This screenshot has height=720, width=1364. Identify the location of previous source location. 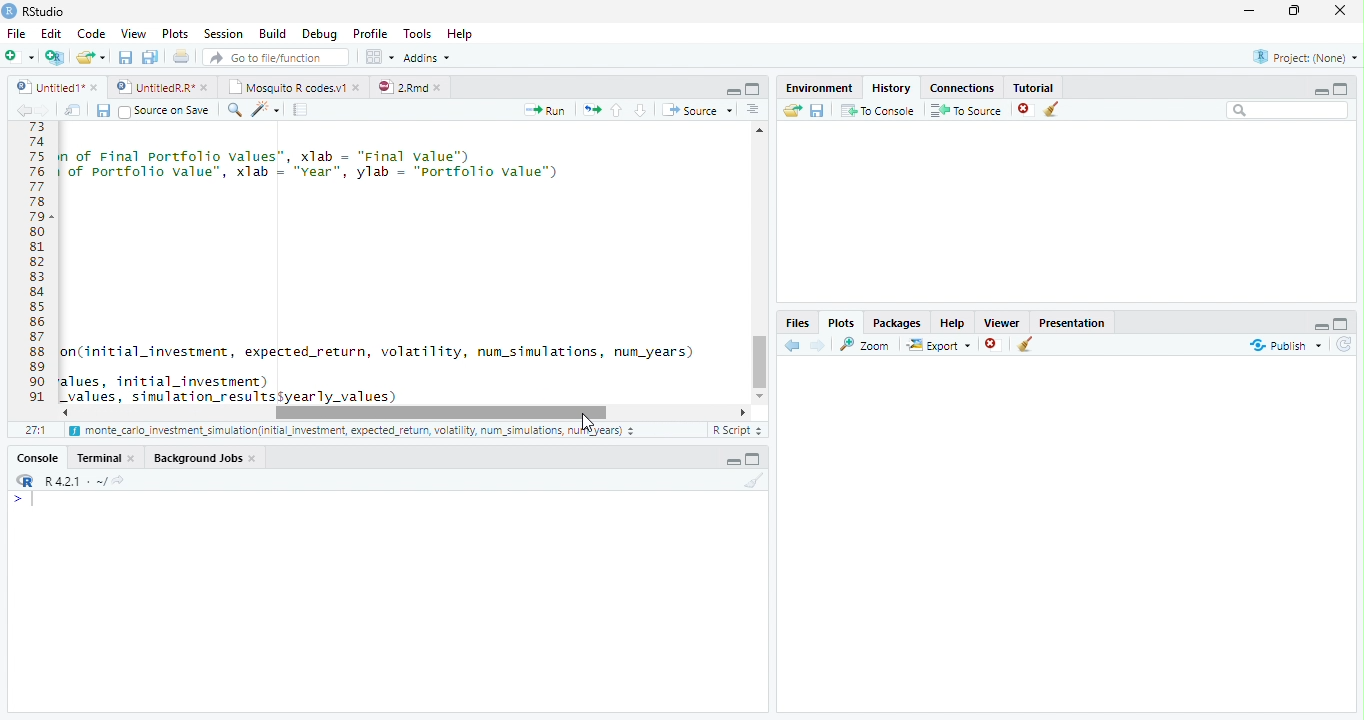
(23, 110).